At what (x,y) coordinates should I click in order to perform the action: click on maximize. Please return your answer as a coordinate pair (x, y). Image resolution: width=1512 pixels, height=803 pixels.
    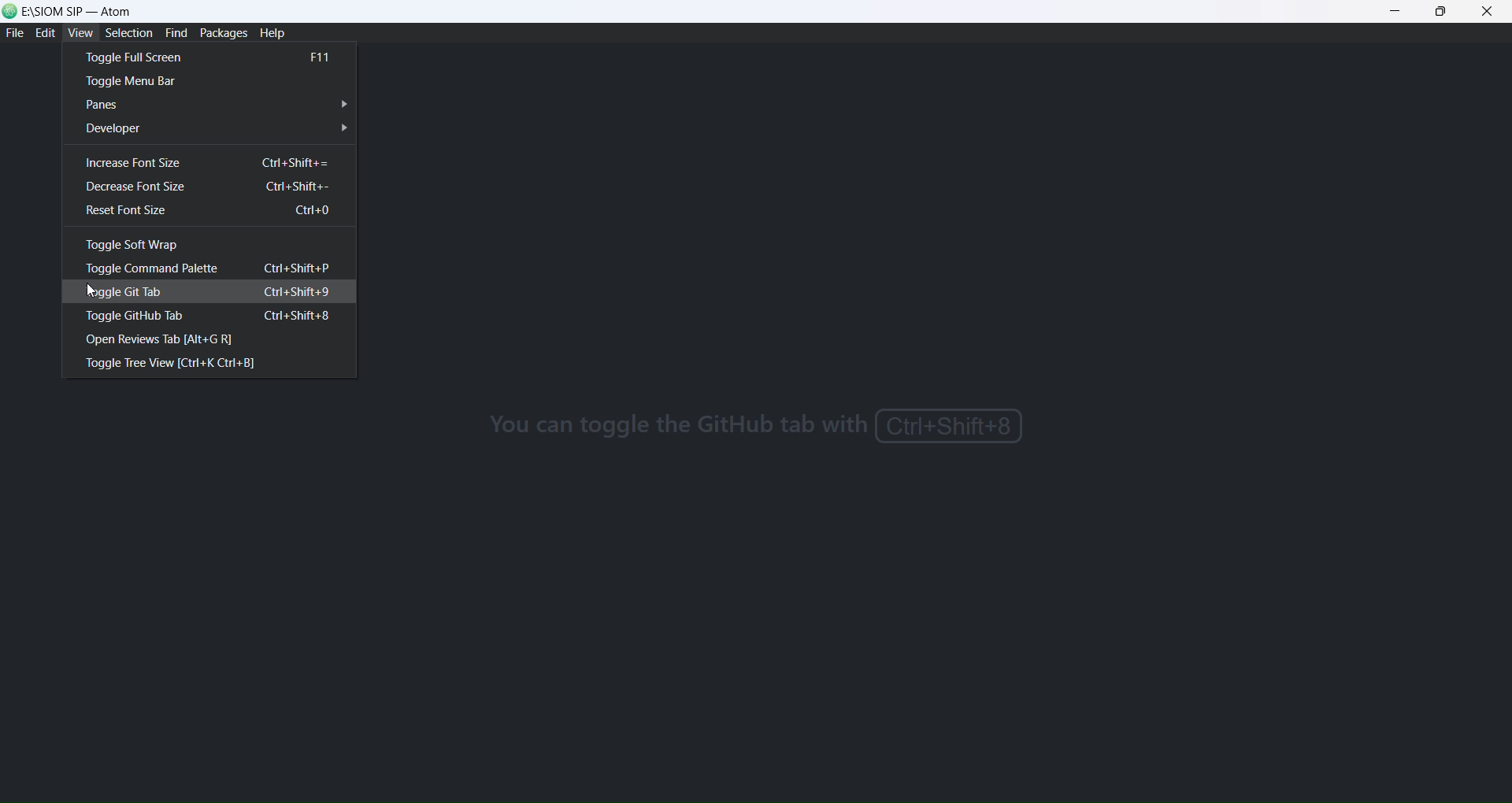
    Looking at the image, I should click on (1443, 13).